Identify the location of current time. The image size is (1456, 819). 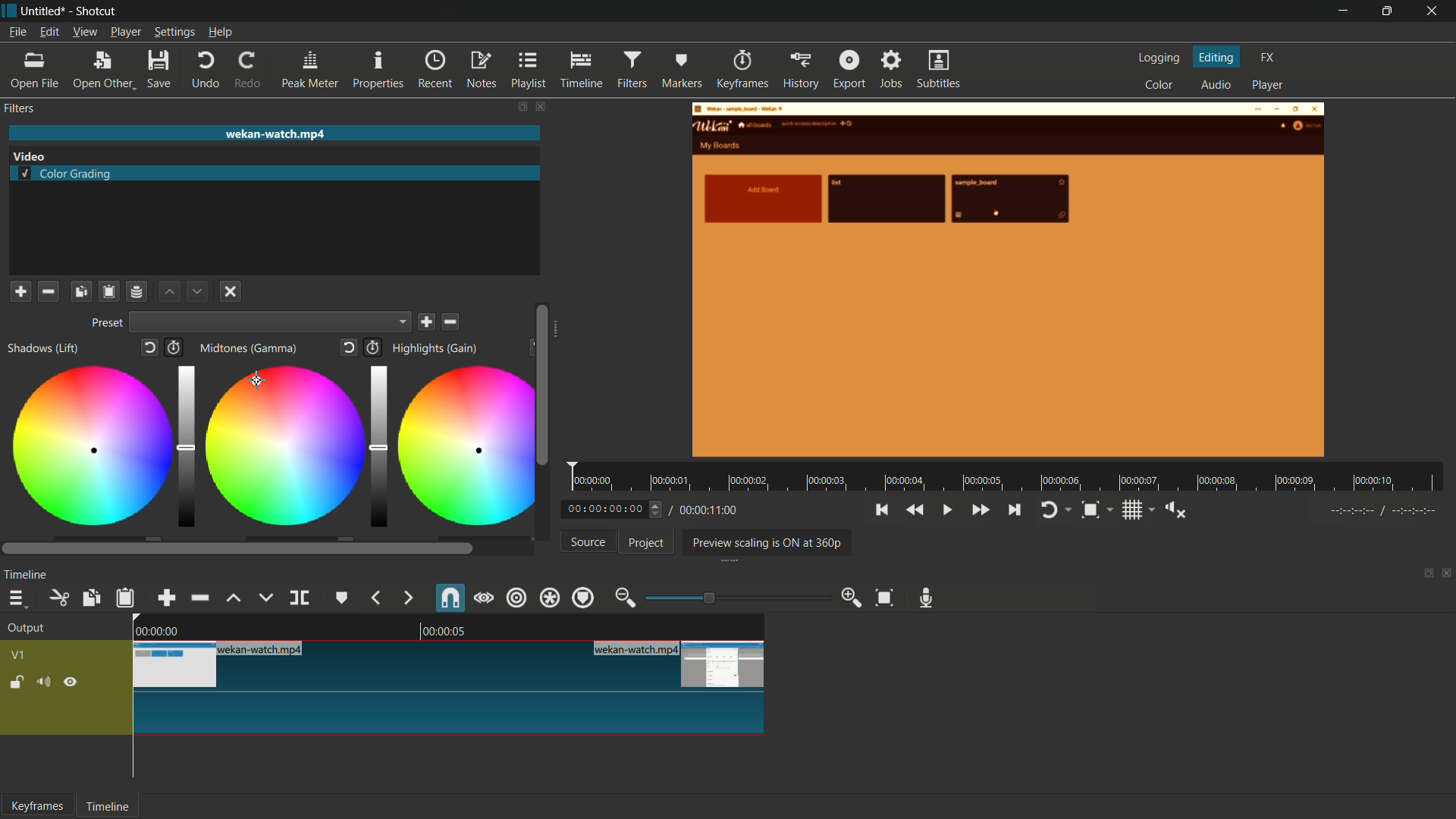
(616, 508).